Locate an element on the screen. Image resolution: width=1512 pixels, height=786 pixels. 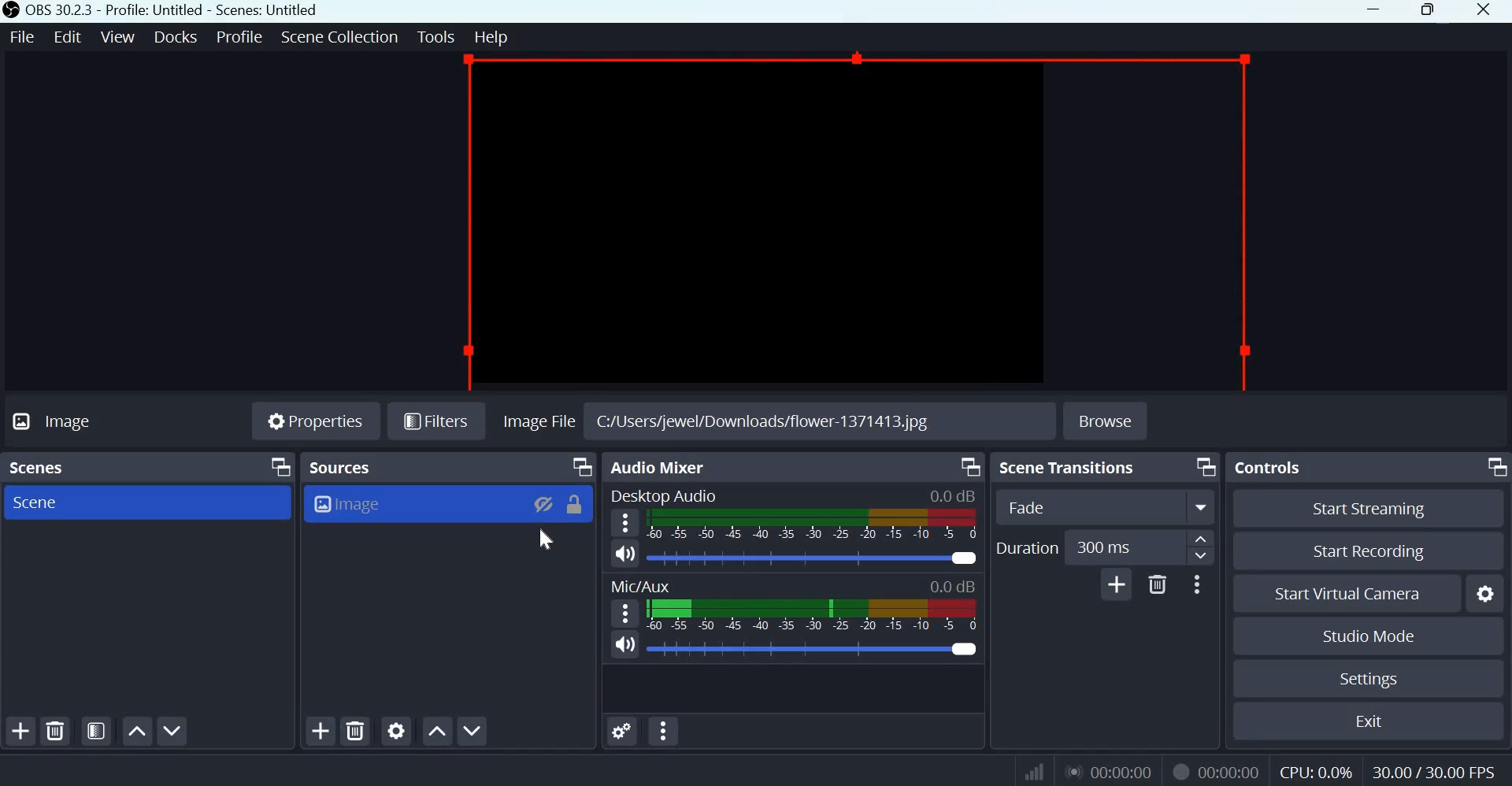
Dock Options icon is located at coordinates (1495, 469).